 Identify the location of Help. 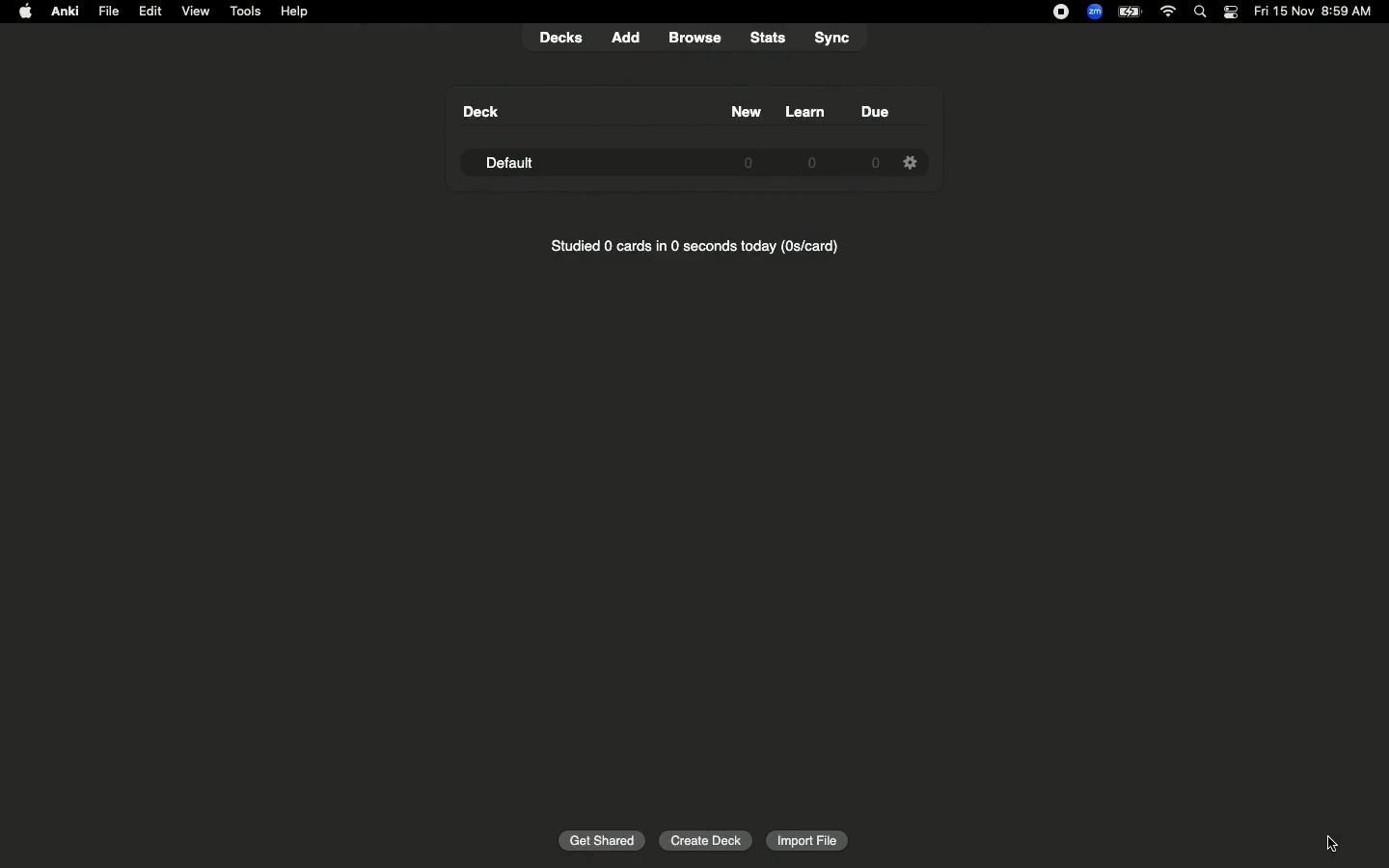
(296, 12).